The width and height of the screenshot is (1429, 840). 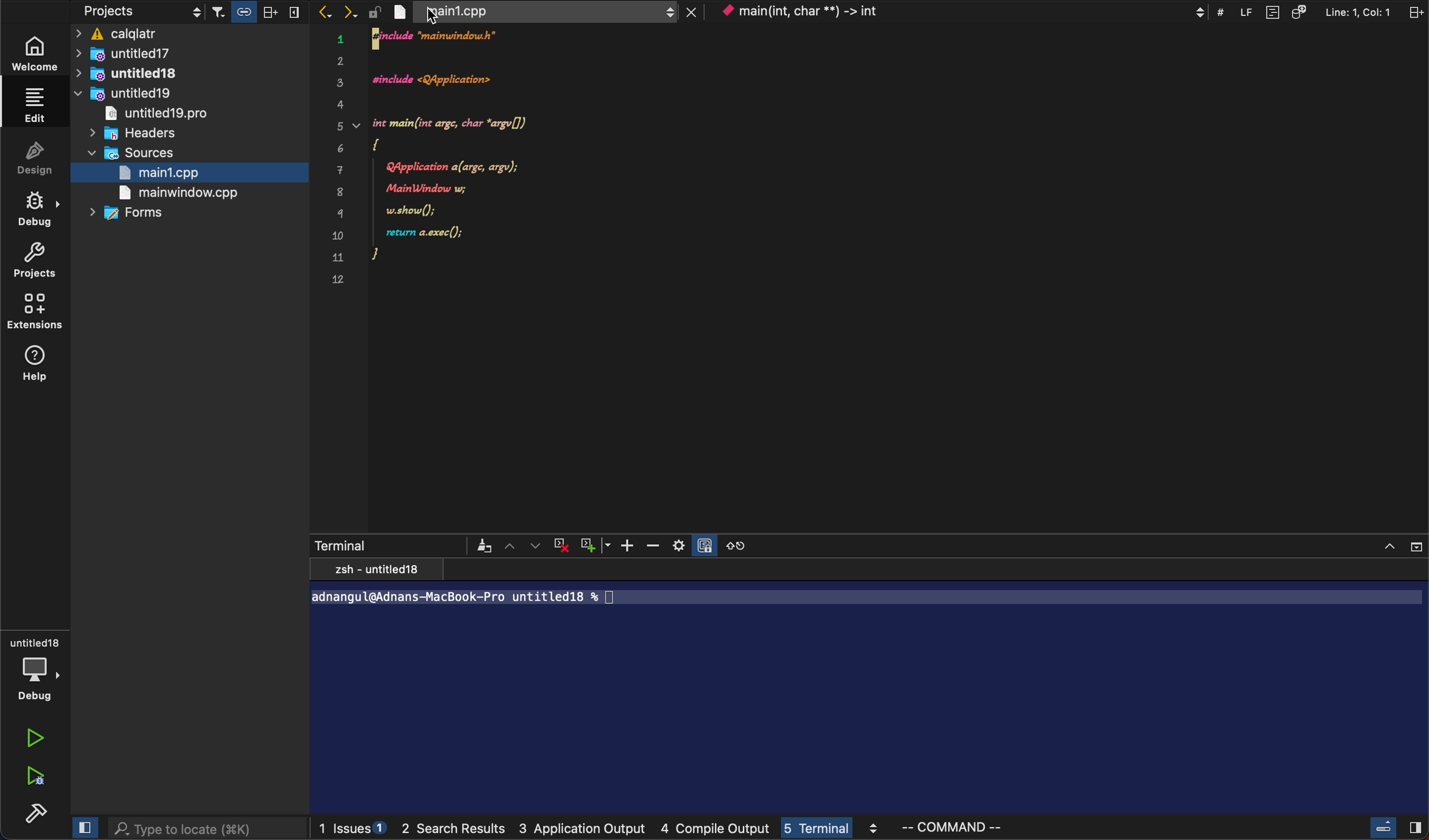 What do you see at coordinates (37, 775) in the screenshot?
I see `run debug` at bounding box center [37, 775].